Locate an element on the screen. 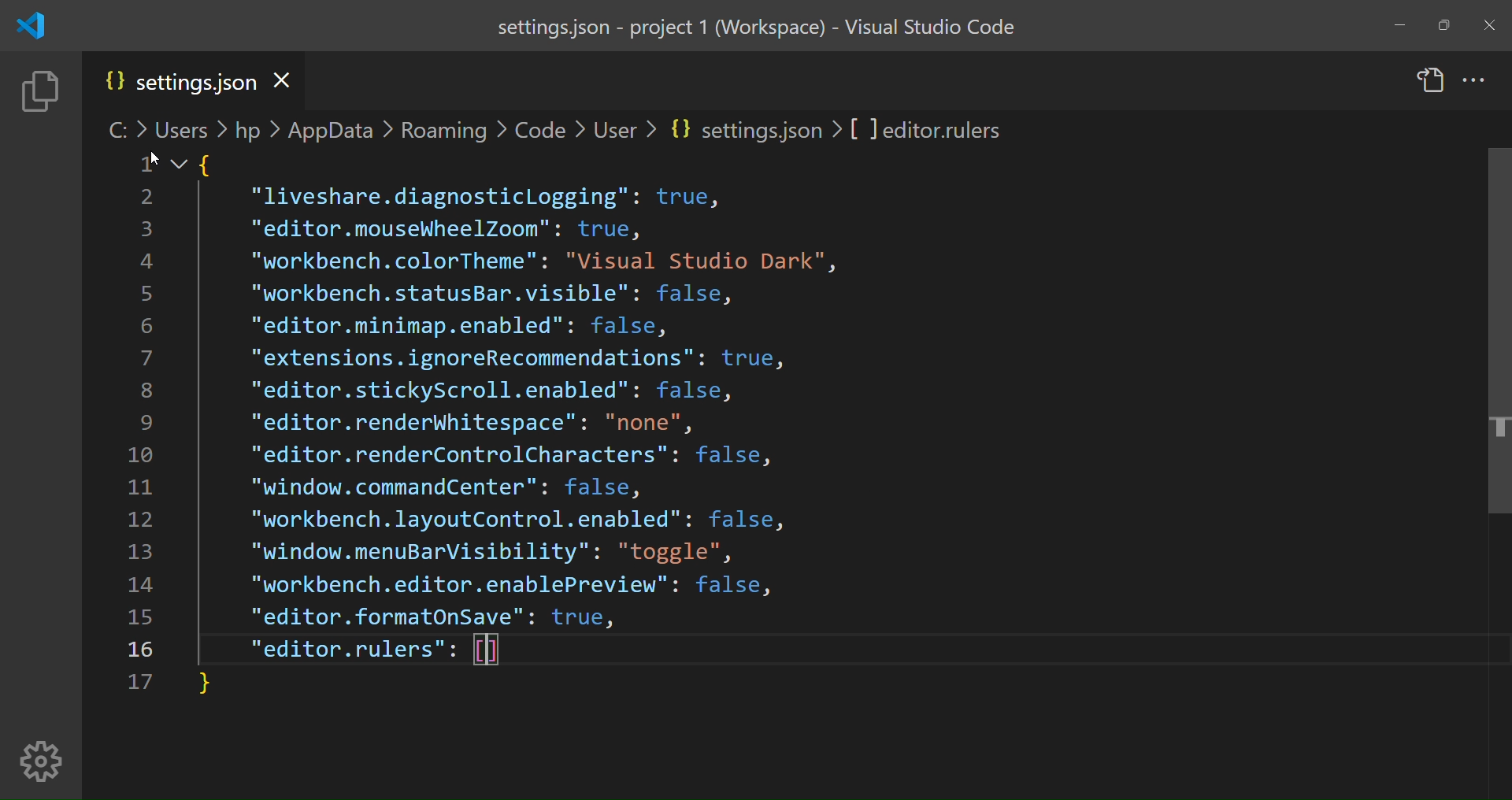  more actions is located at coordinates (1475, 78).